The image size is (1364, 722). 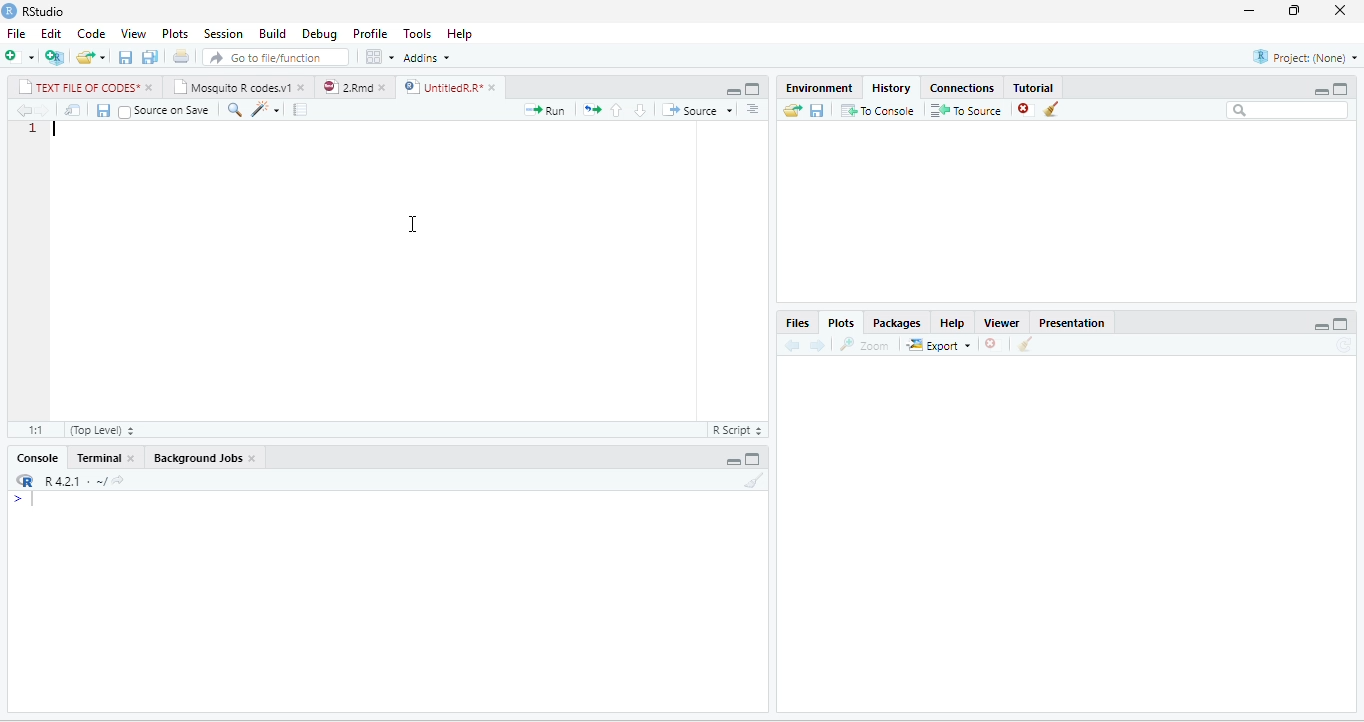 What do you see at coordinates (385, 87) in the screenshot?
I see `close` at bounding box center [385, 87].